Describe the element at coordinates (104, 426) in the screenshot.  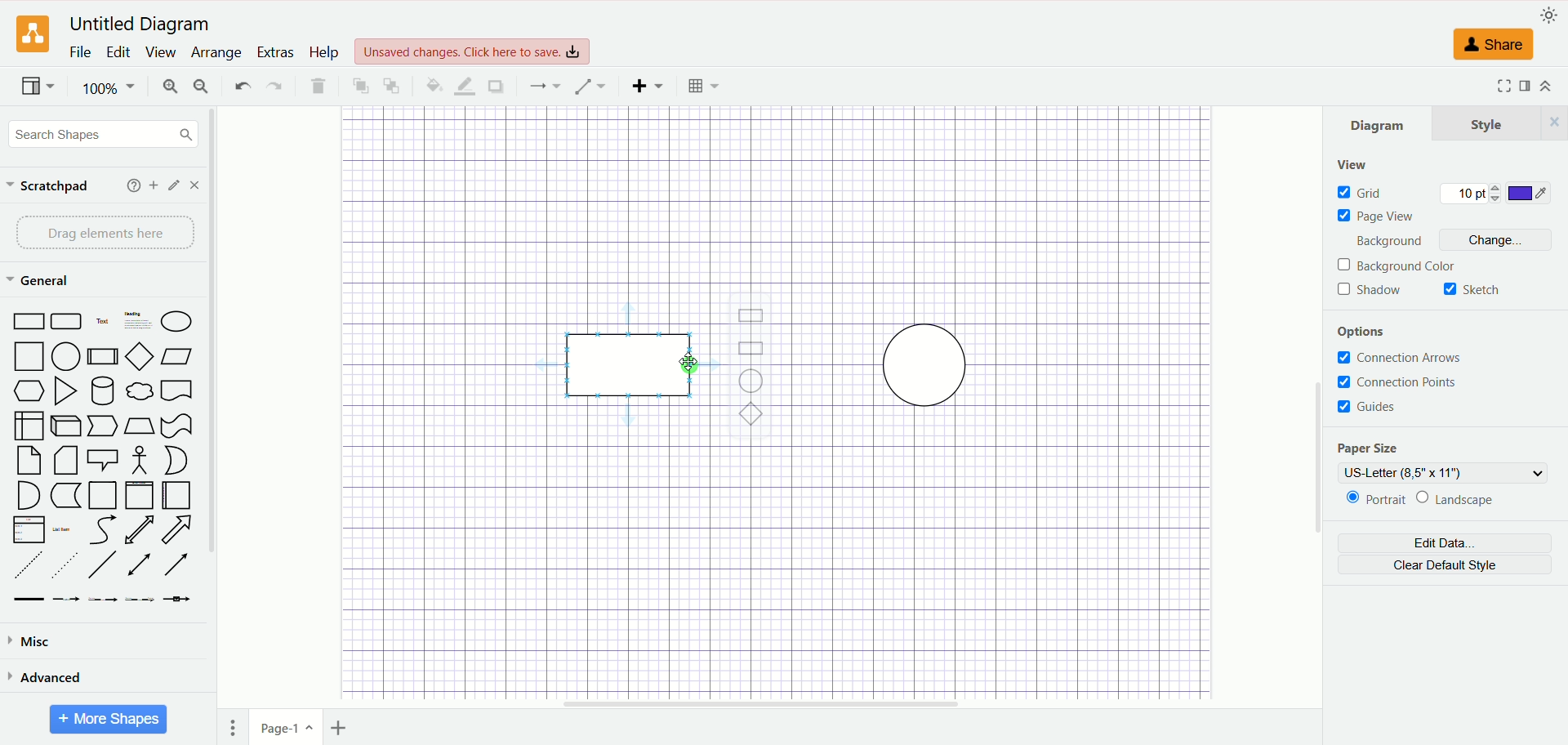
I see `Pointer` at that location.